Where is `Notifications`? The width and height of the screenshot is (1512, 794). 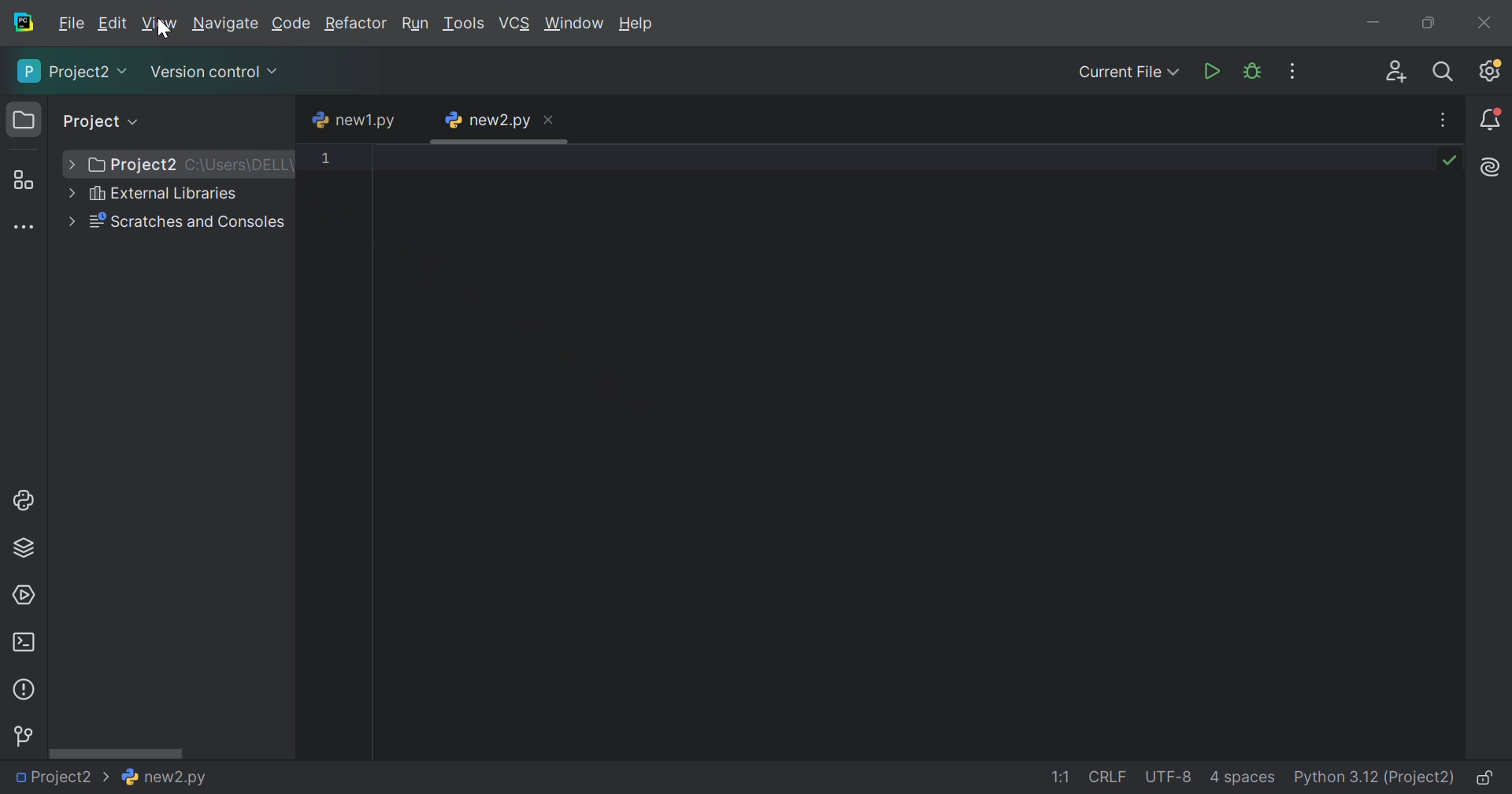
Notifications is located at coordinates (1492, 119).